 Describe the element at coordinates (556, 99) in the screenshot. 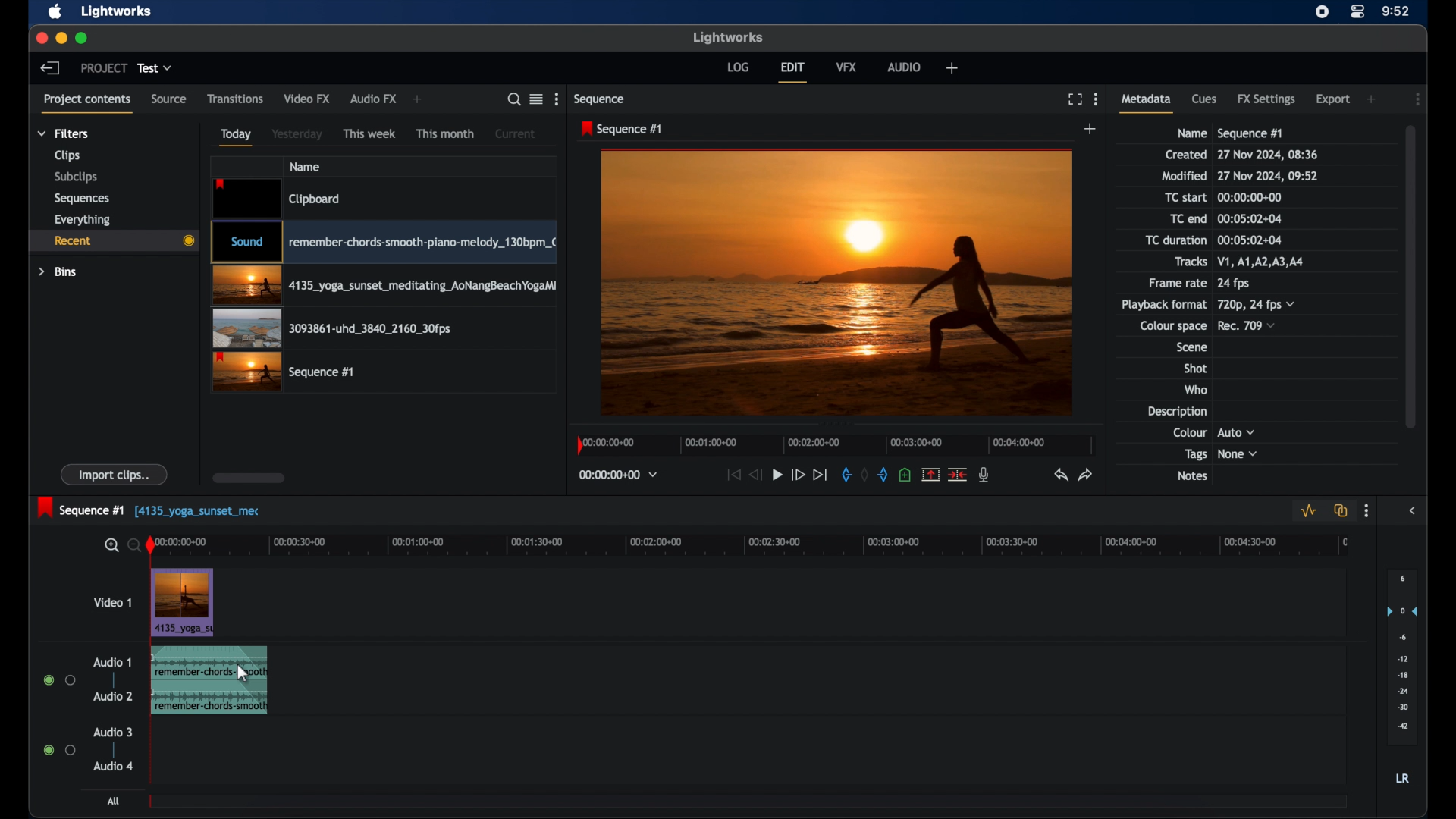

I see `more options` at that location.